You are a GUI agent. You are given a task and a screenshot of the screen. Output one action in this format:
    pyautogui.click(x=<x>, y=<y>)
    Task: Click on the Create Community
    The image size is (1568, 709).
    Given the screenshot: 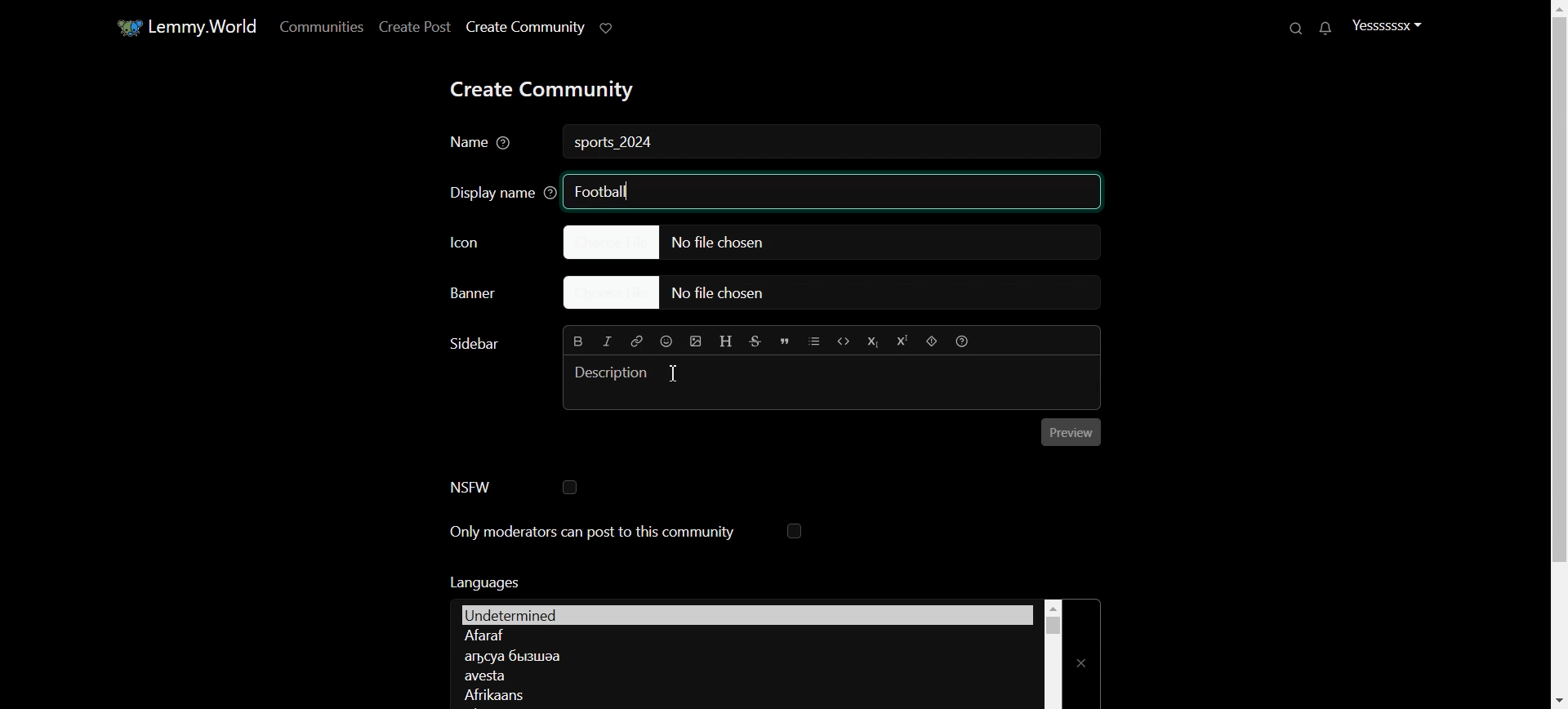 What is the action you would take?
    pyautogui.click(x=524, y=27)
    